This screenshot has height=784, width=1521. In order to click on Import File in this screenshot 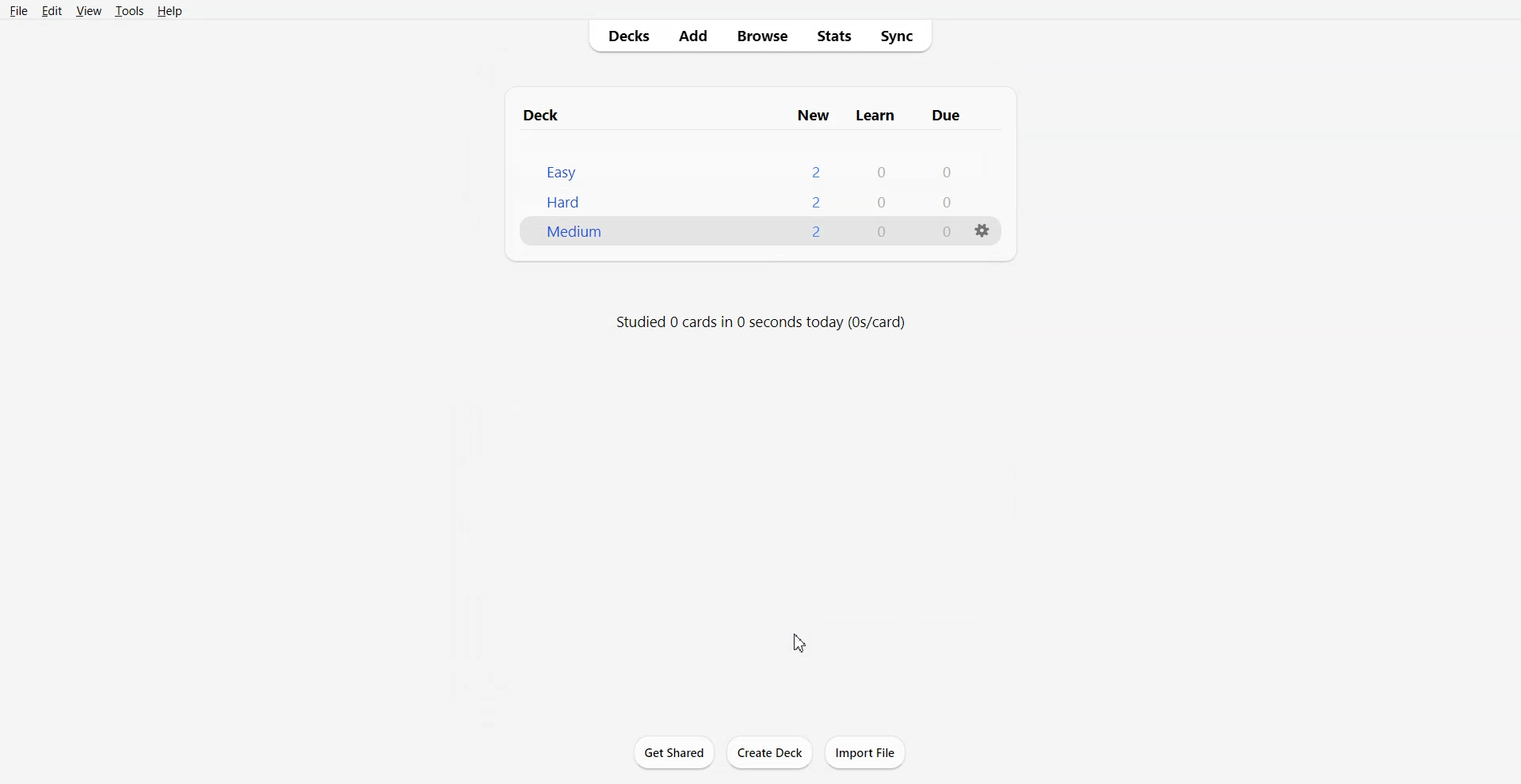, I will do `click(865, 752)`.